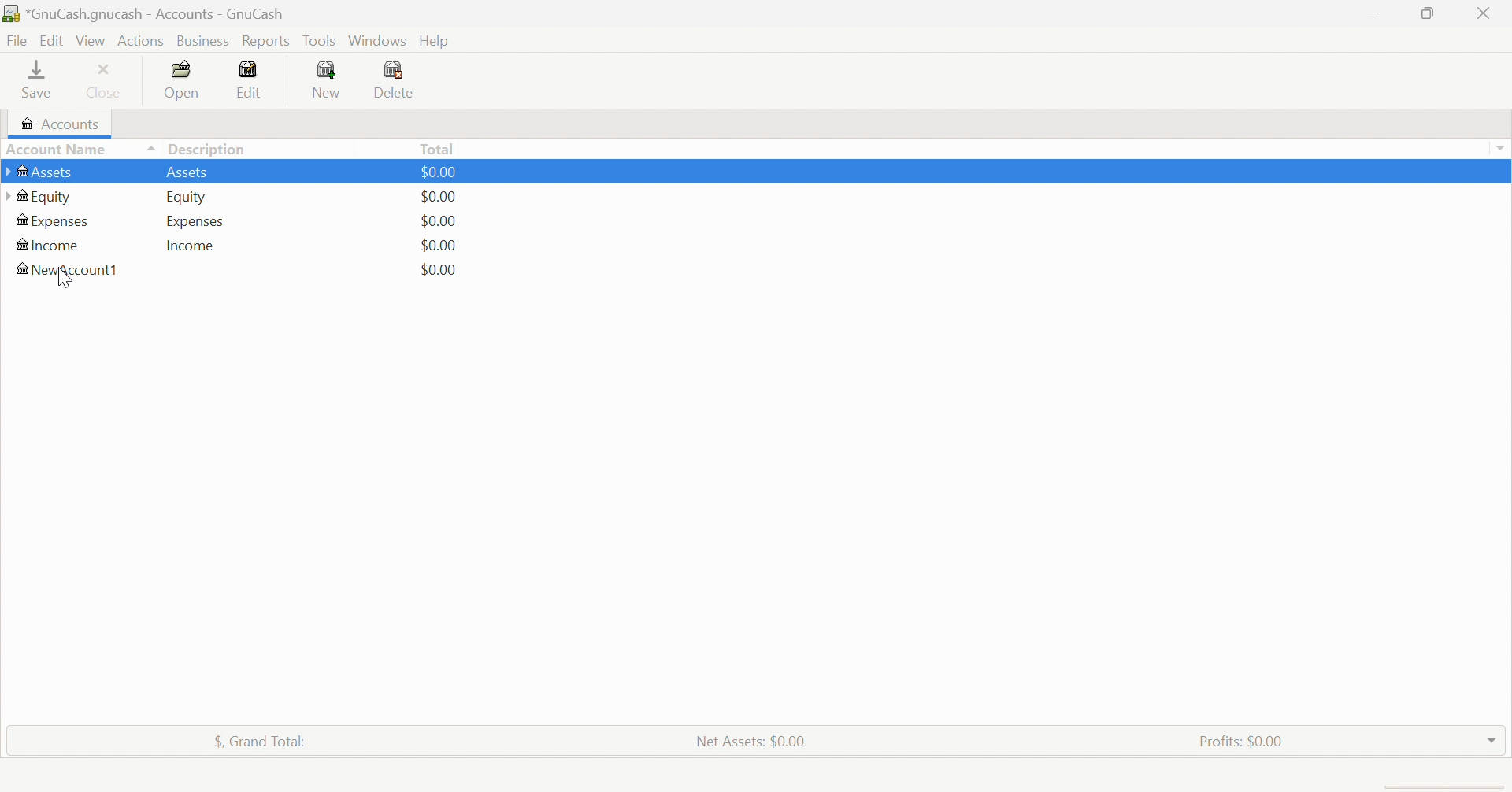 The image size is (1512, 792). I want to click on Restore Down, so click(1430, 15).